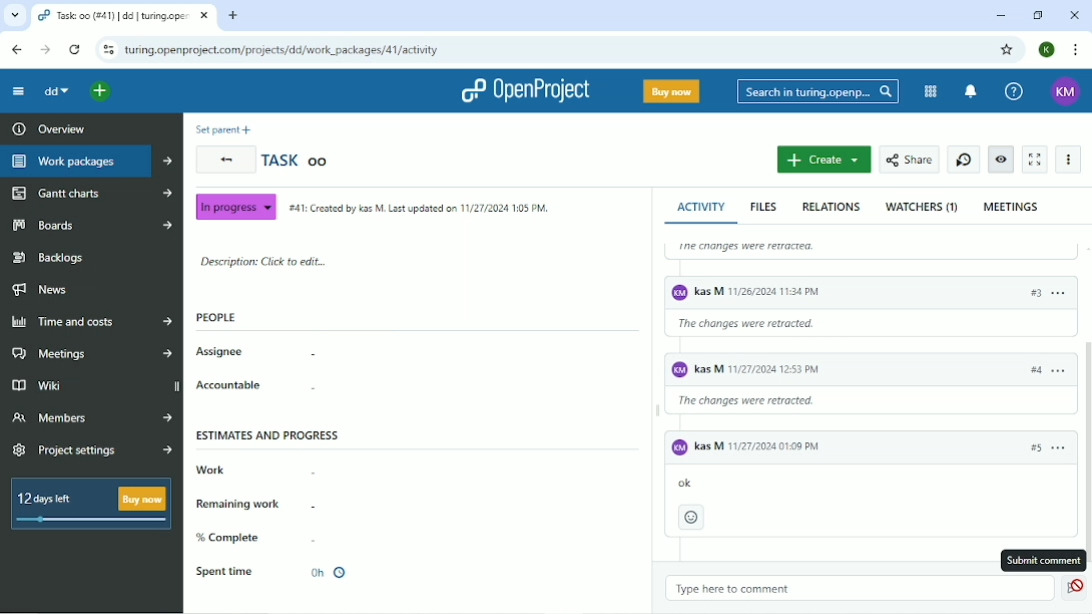 The height and width of the screenshot is (614, 1092). Describe the element at coordinates (107, 51) in the screenshot. I see `View site information` at that location.